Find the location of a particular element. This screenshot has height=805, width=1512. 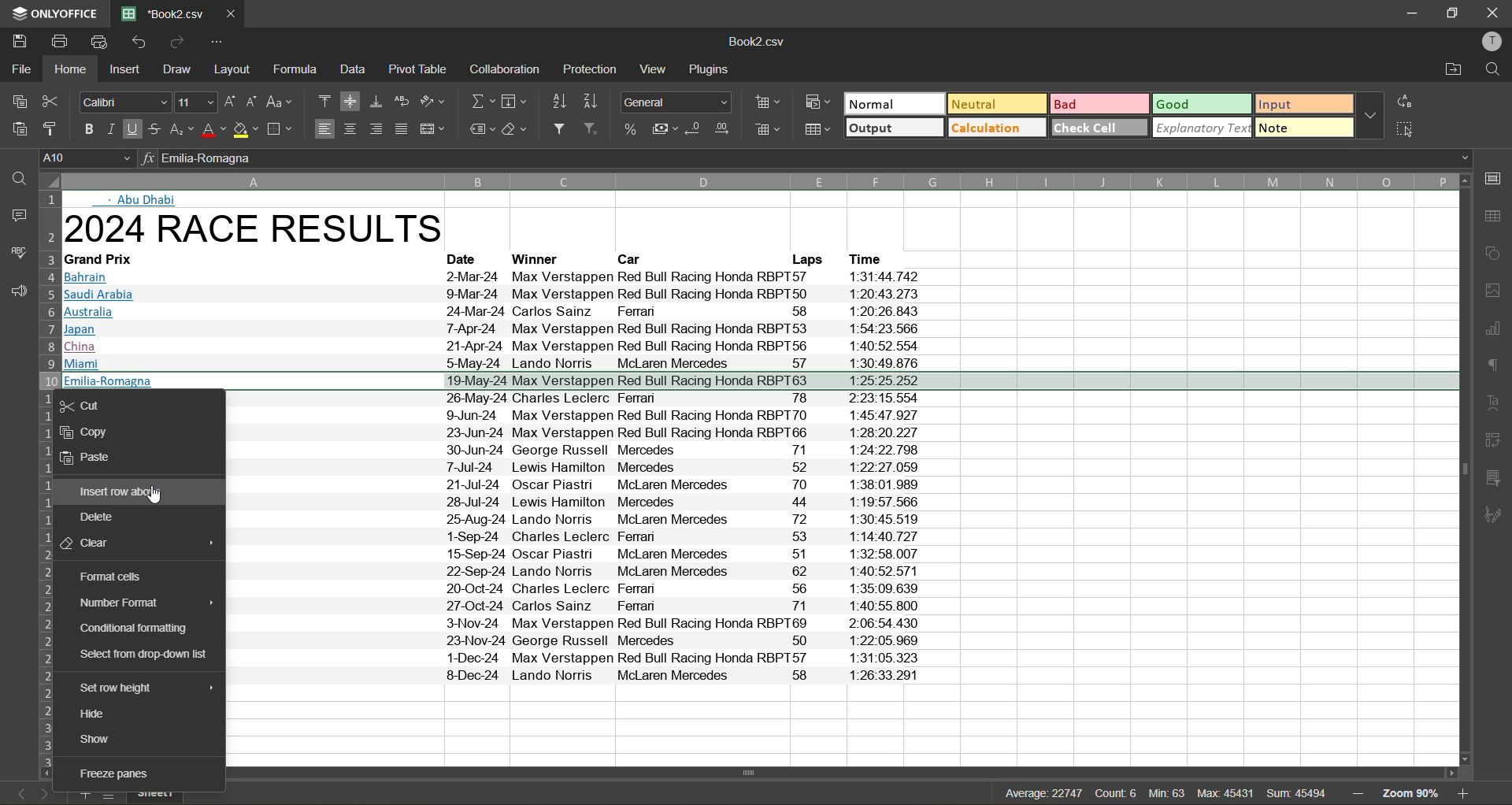

freeze panes is located at coordinates (120, 770).